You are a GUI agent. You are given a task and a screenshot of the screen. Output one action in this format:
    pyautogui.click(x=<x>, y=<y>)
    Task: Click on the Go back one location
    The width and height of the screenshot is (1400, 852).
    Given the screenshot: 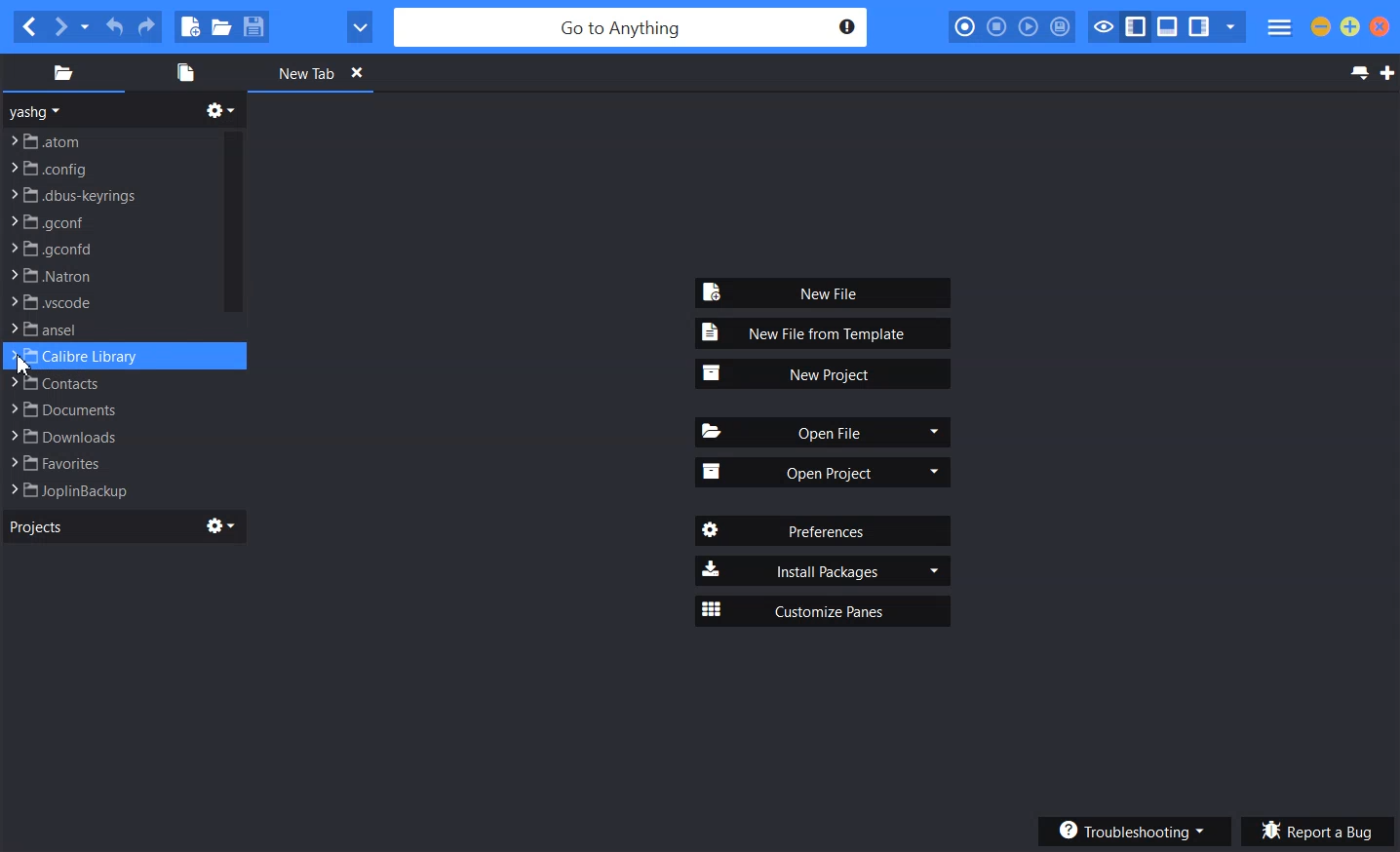 What is the action you would take?
    pyautogui.click(x=28, y=27)
    